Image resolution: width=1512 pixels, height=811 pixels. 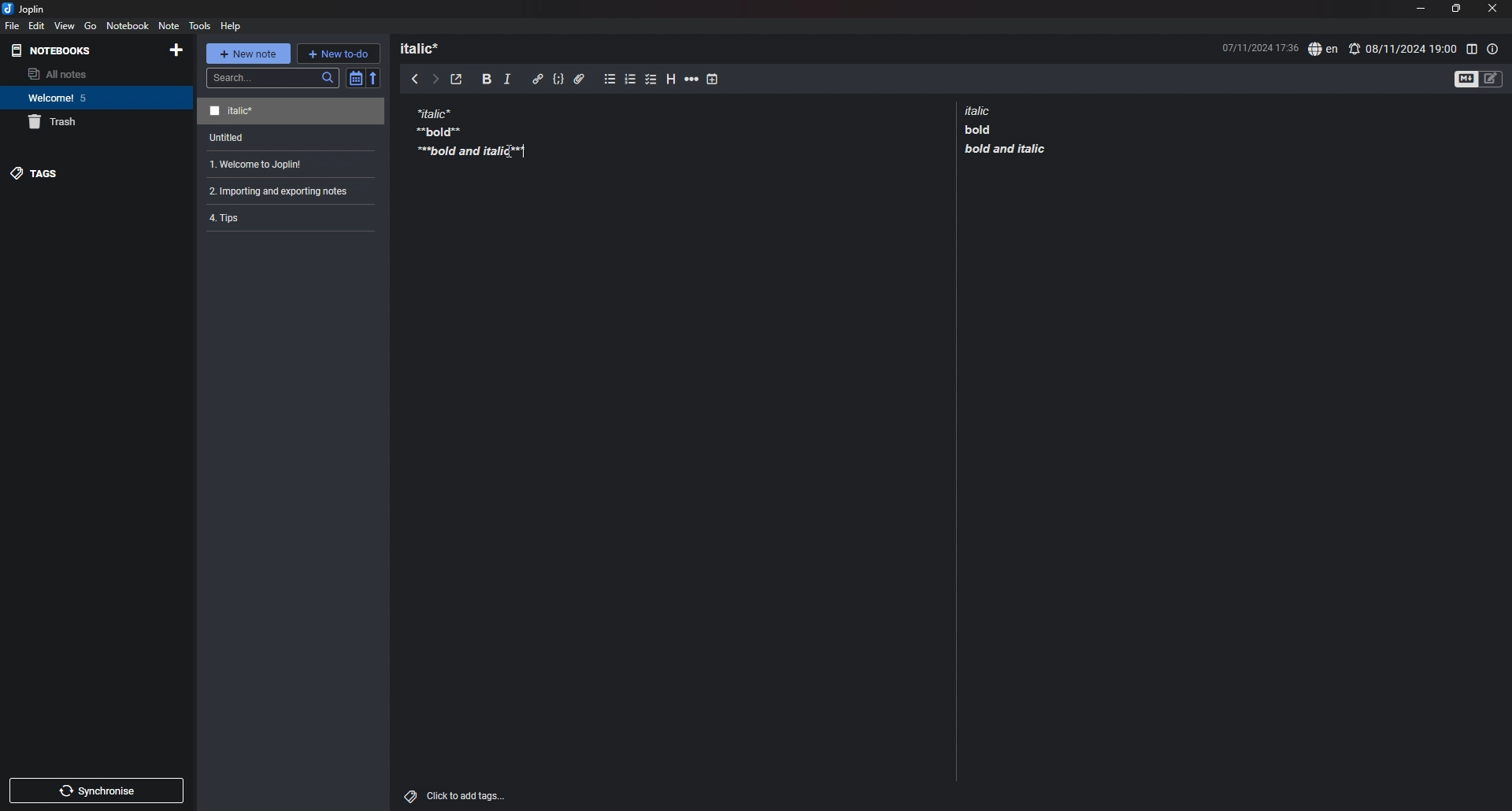 I want to click on spell check, so click(x=1323, y=50).